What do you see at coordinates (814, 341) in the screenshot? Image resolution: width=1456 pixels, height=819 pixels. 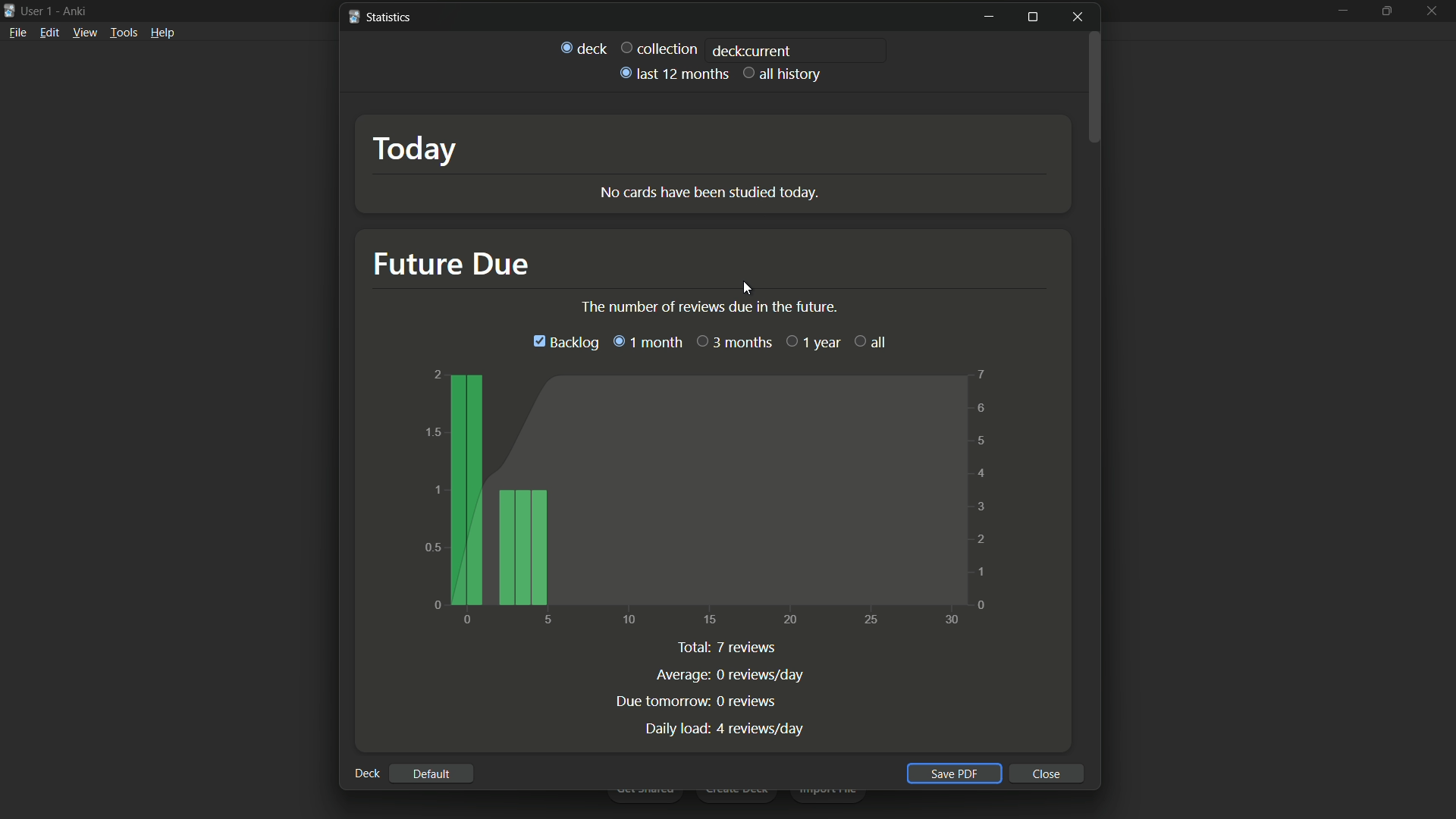 I see `1 year` at bounding box center [814, 341].